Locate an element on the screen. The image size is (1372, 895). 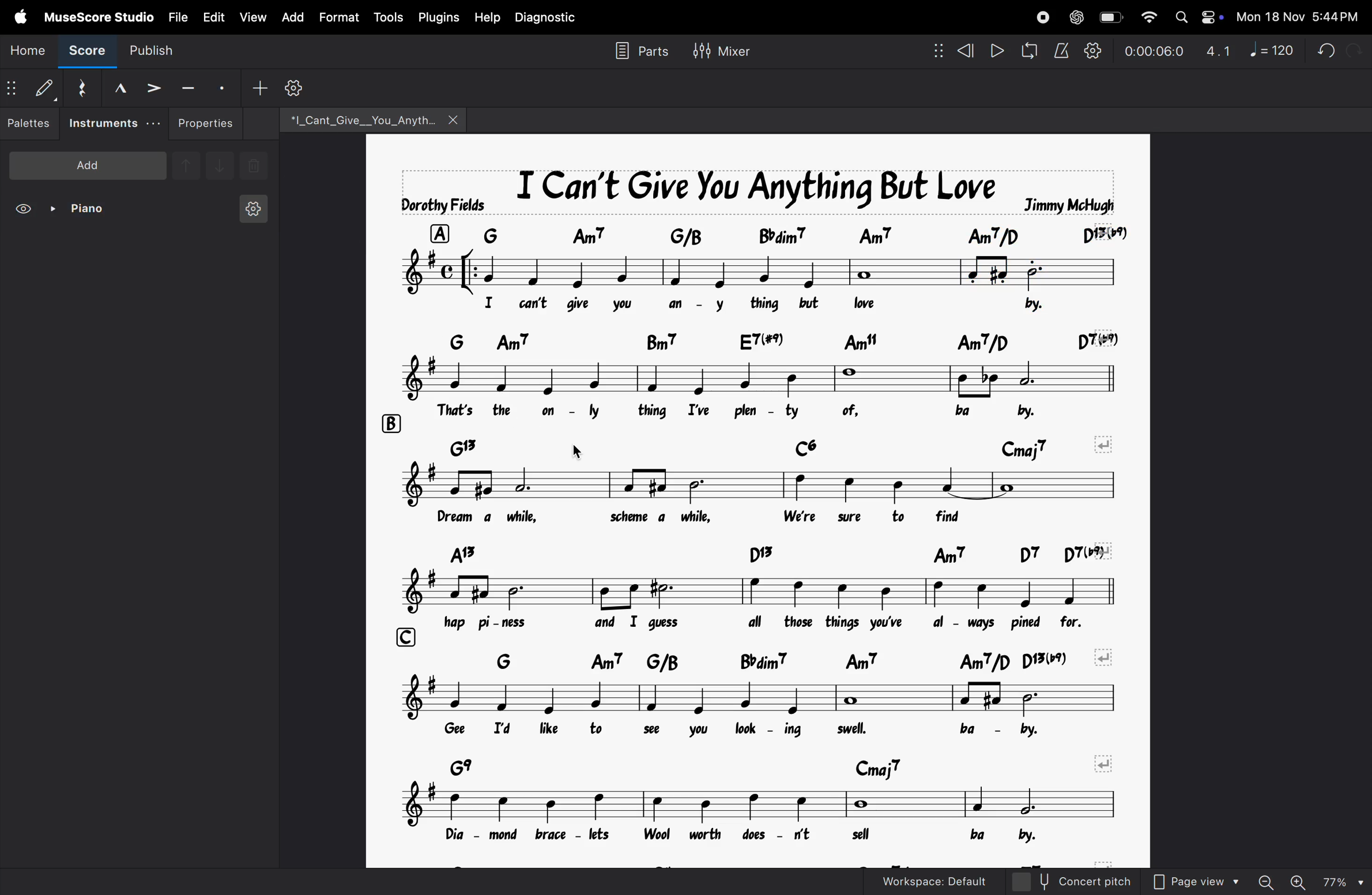
notes is located at coordinates (766, 591).